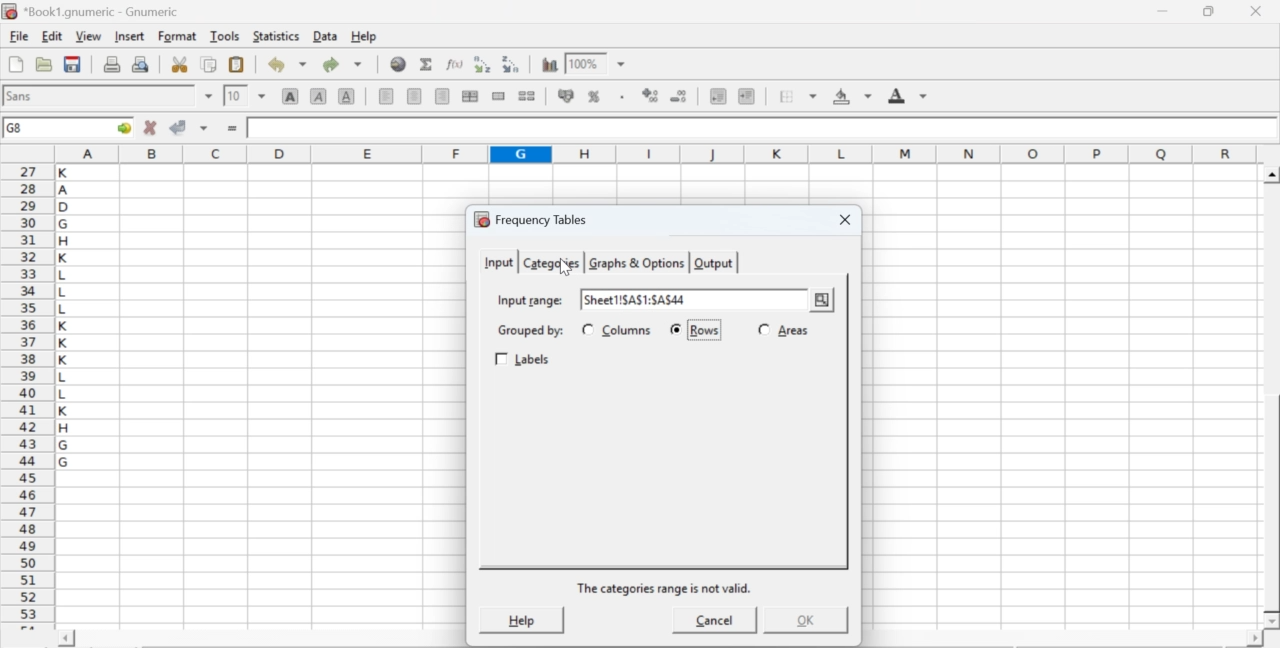 The width and height of the screenshot is (1280, 648). Describe the element at coordinates (456, 63) in the screenshot. I see `edit function in current cell` at that location.